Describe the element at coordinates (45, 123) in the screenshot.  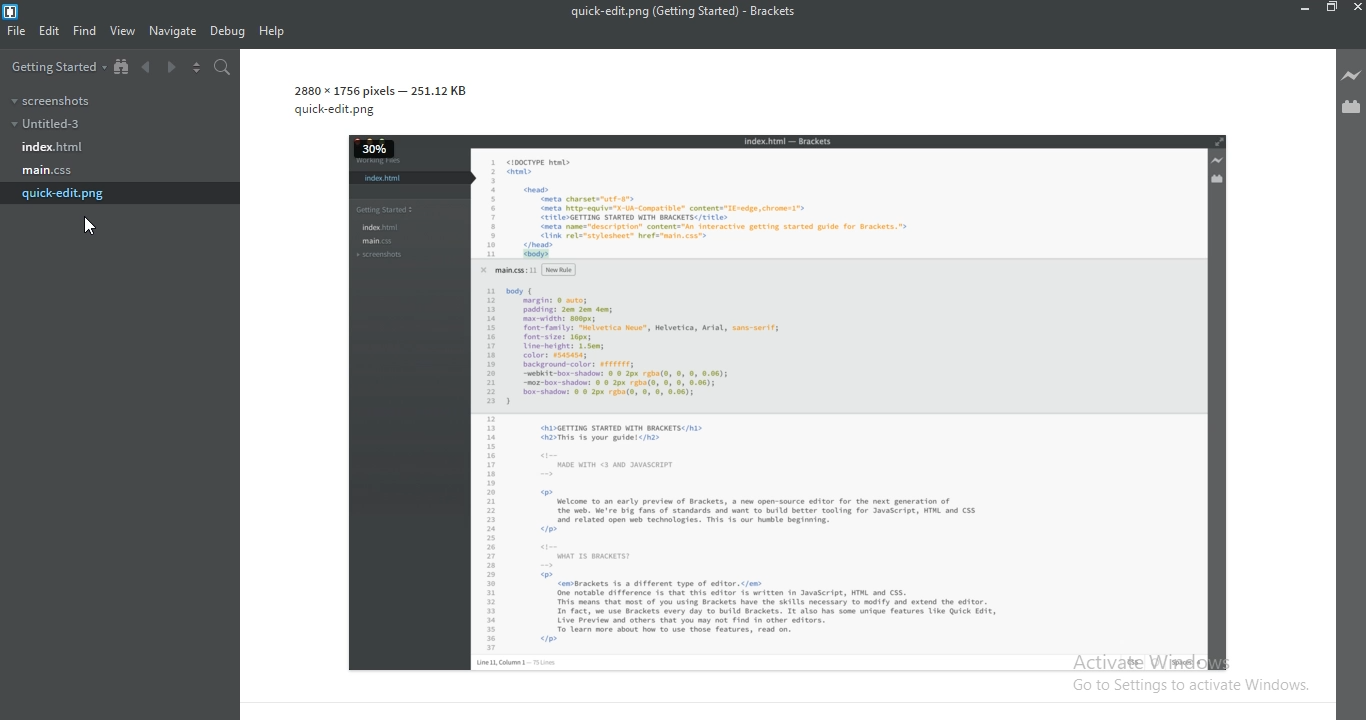
I see `untitled-3` at that location.